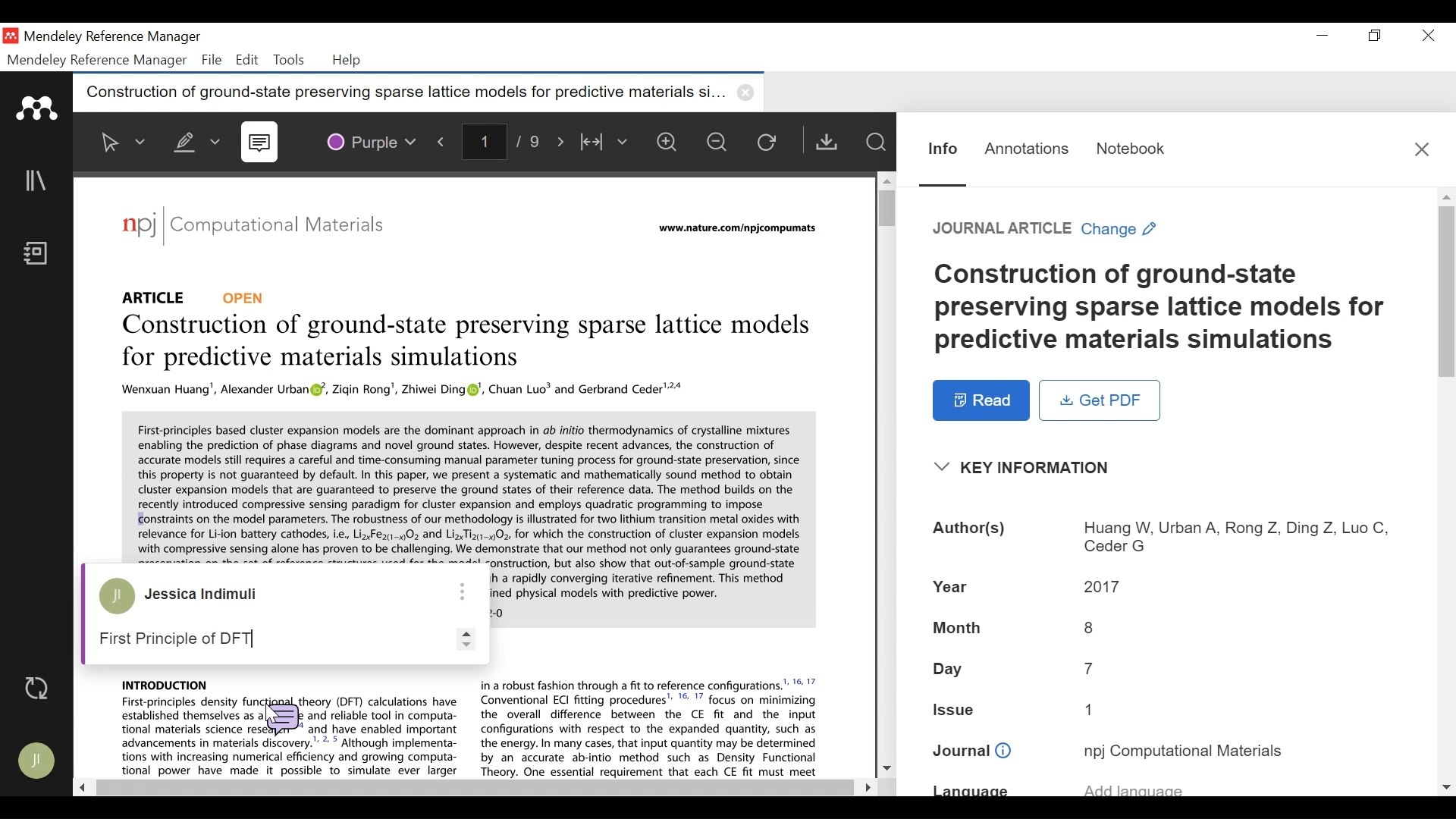 This screenshot has width=1456, height=819. Describe the element at coordinates (247, 60) in the screenshot. I see `Edit` at that location.